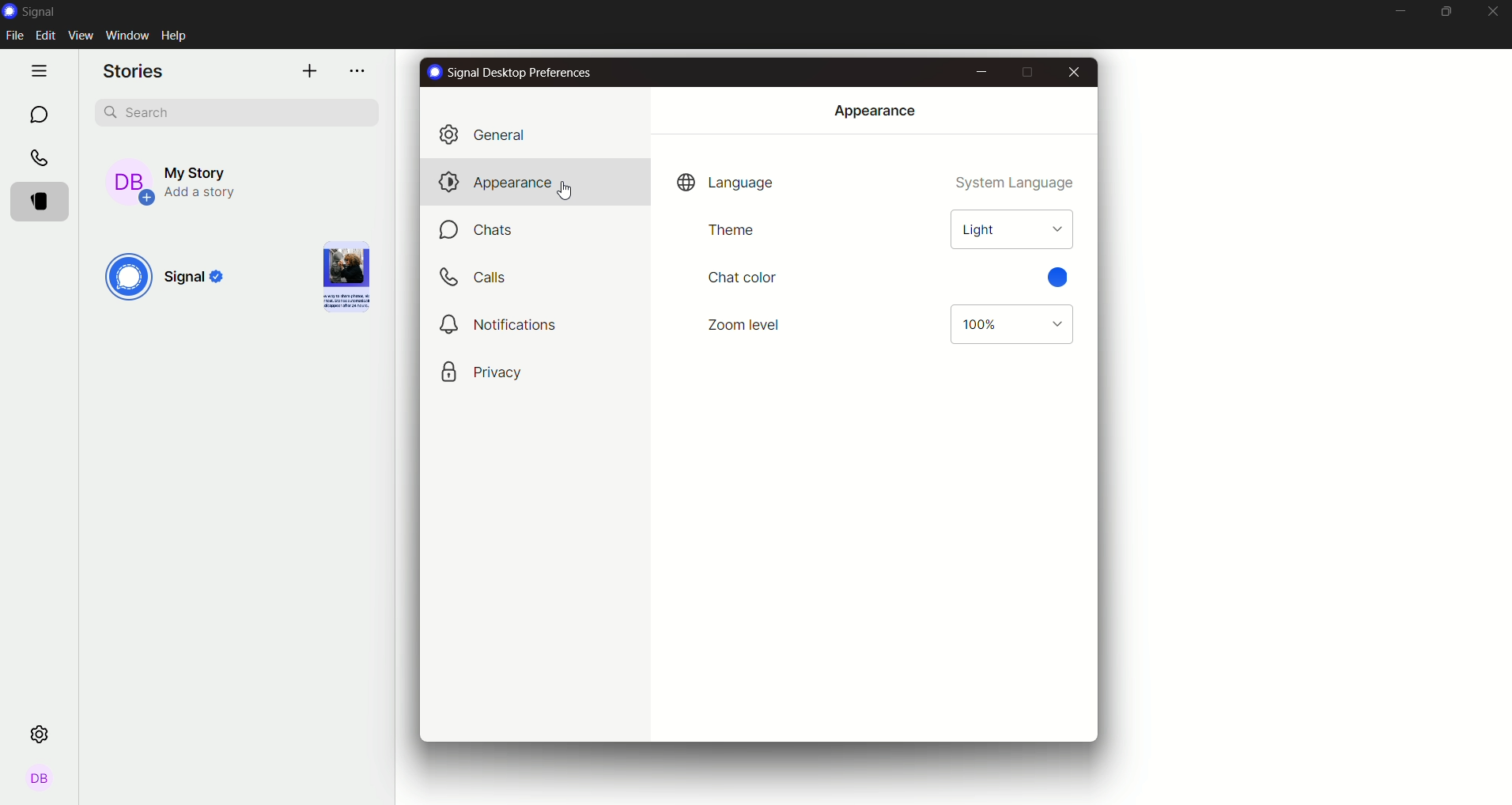 This screenshot has height=805, width=1512. Describe the element at coordinates (43, 733) in the screenshot. I see `settings` at that location.